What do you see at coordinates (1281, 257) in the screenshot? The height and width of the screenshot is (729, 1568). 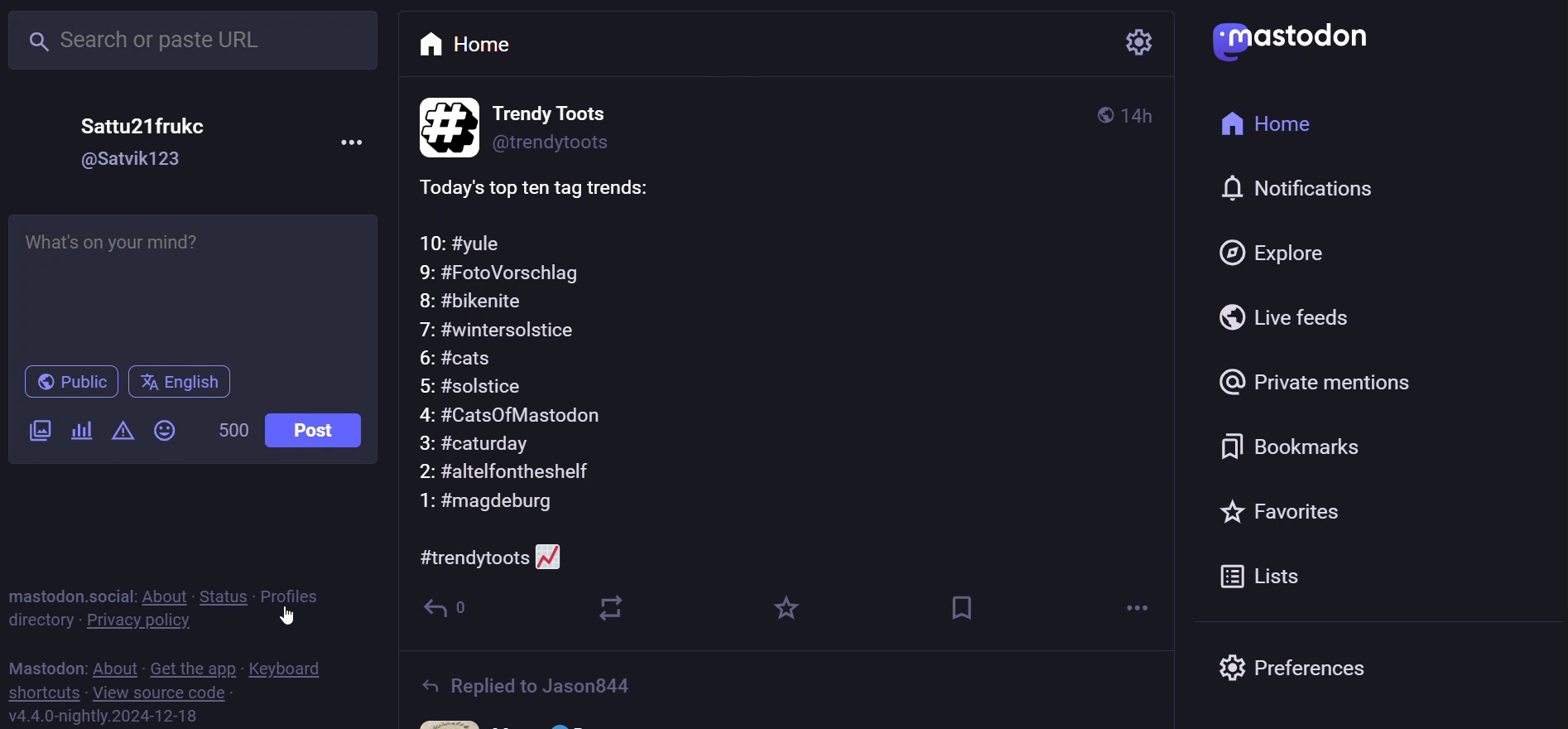 I see `explore` at bounding box center [1281, 257].